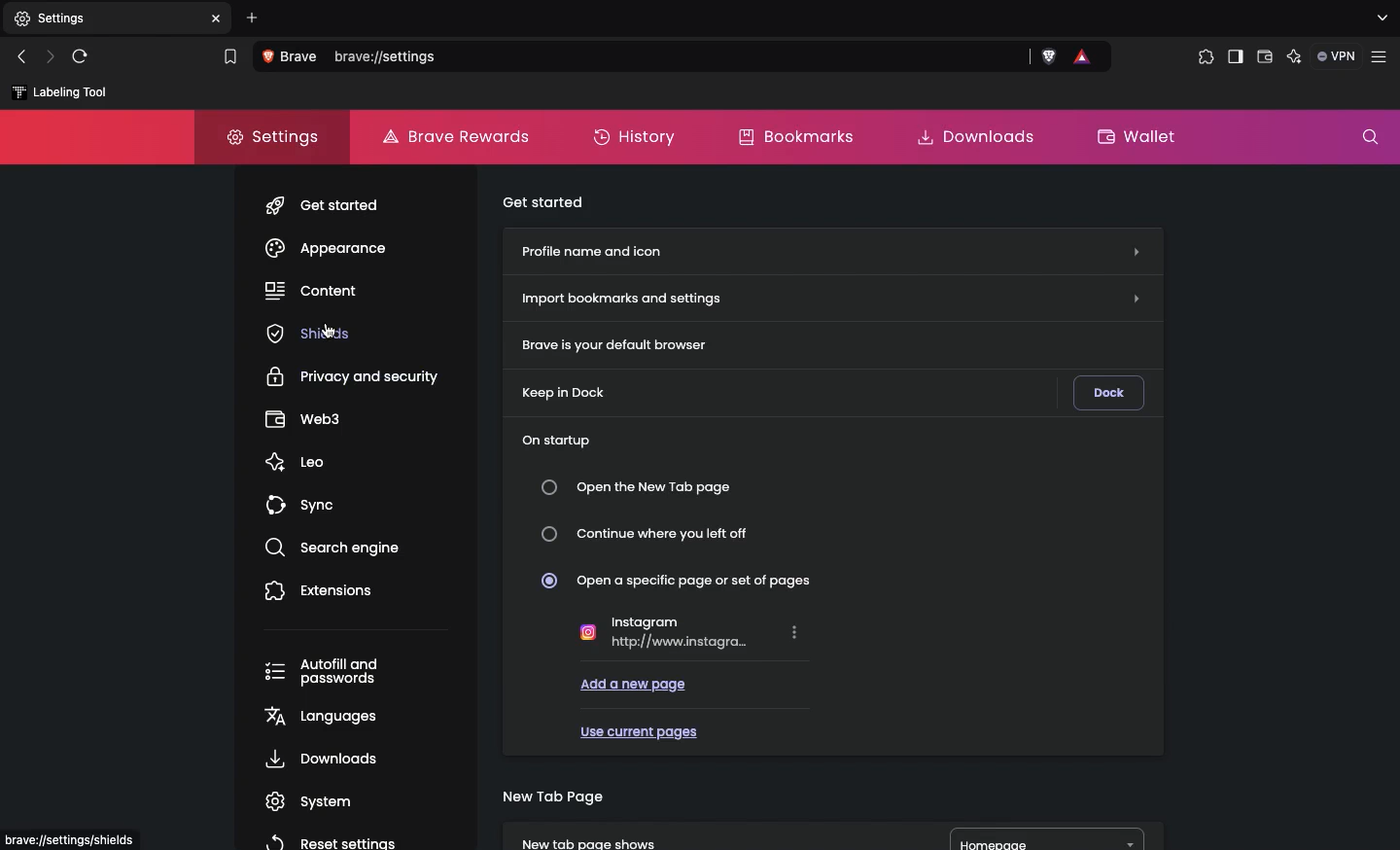 This screenshot has height=850, width=1400. What do you see at coordinates (80, 57) in the screenshot?
I see `Refresh page` at bounding box center [80, 57].